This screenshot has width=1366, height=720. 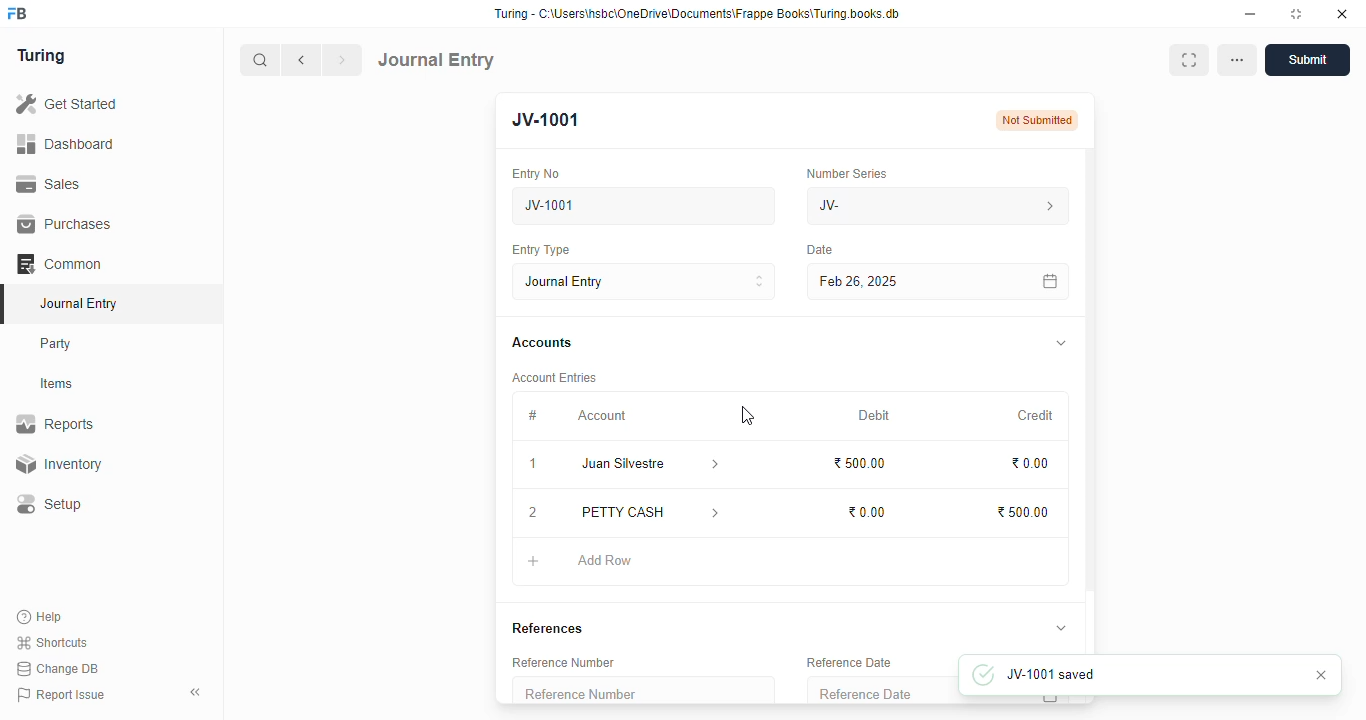 What do you see at coordinates (534, 514) in the screenshot?
I see `remove` at bounding box center [534, 514].